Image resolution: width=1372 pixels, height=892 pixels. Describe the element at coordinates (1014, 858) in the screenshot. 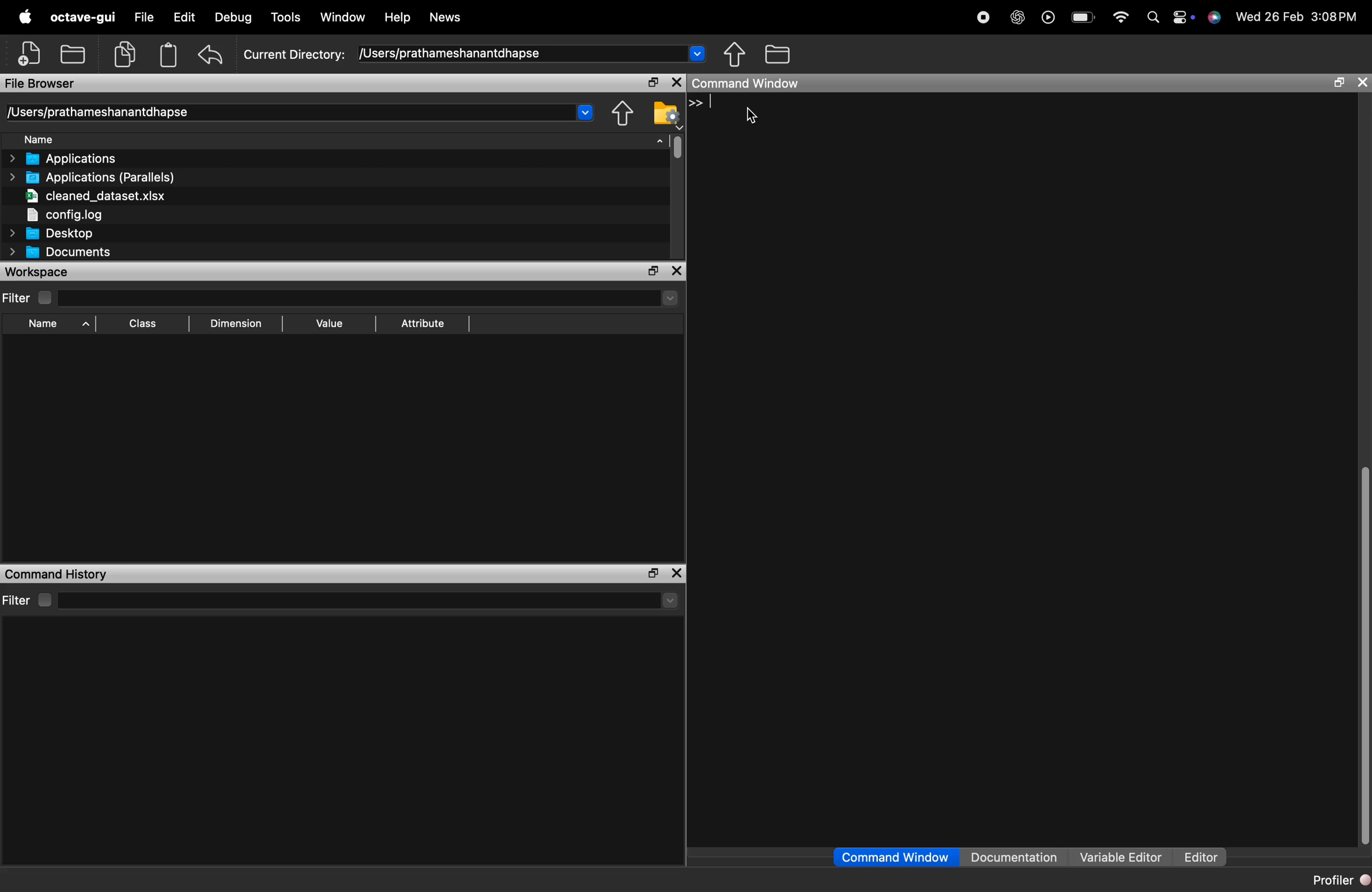

I see `Documentation` at that location.